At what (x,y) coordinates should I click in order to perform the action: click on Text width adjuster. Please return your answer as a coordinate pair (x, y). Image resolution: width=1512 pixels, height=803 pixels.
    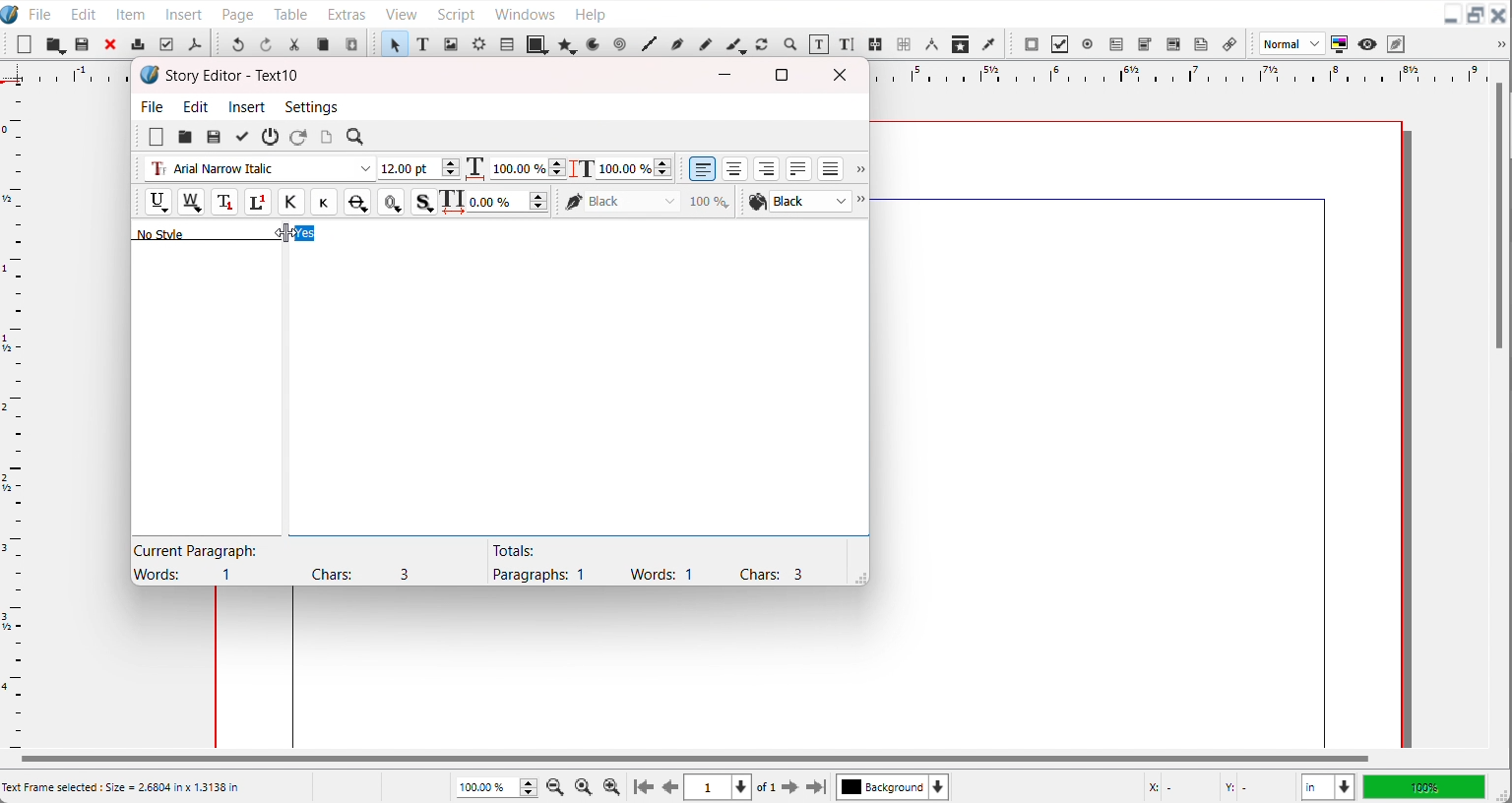
    Looking at the image, I should click on (528, 168).